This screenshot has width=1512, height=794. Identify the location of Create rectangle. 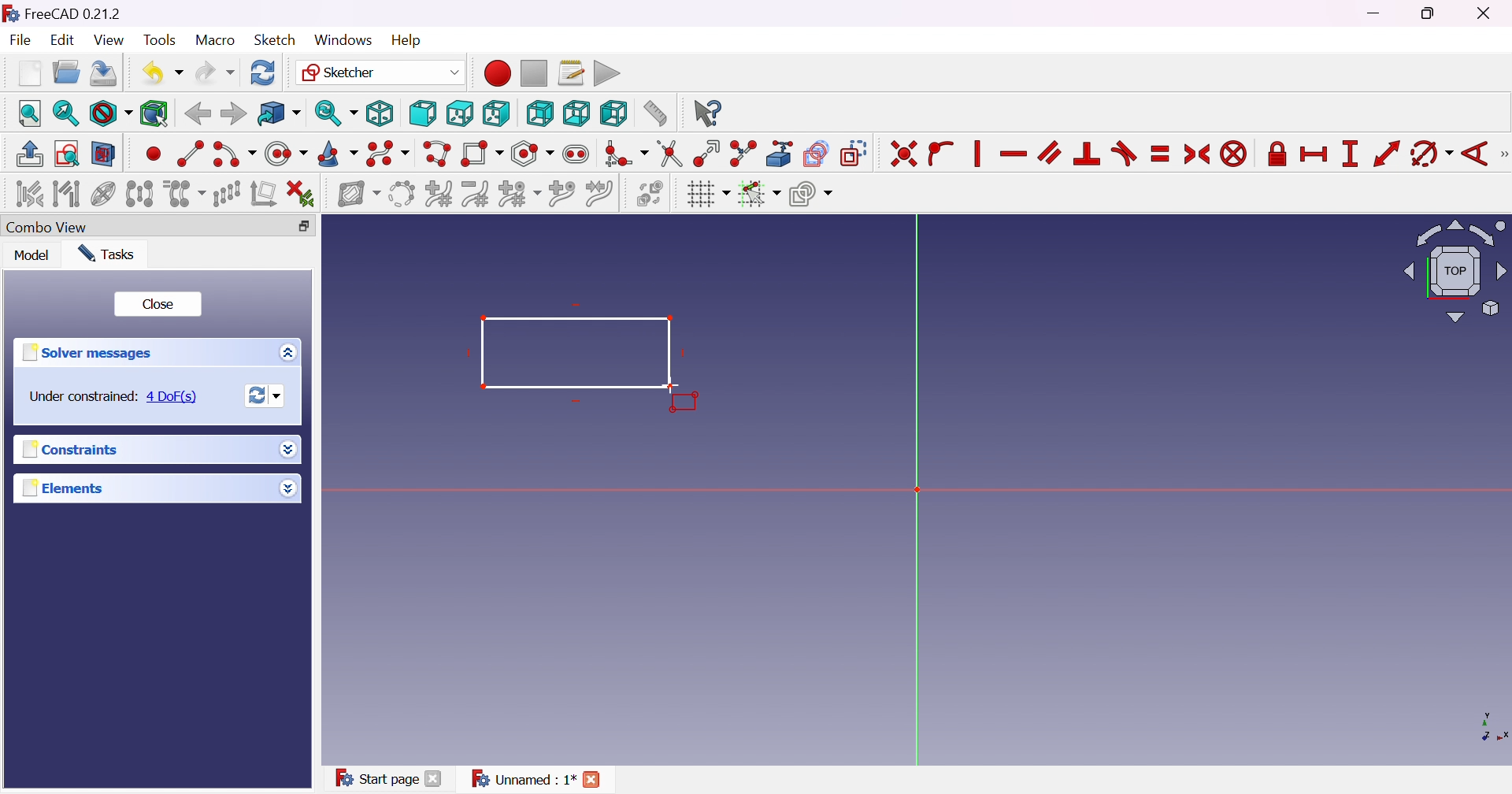
(483, 155).